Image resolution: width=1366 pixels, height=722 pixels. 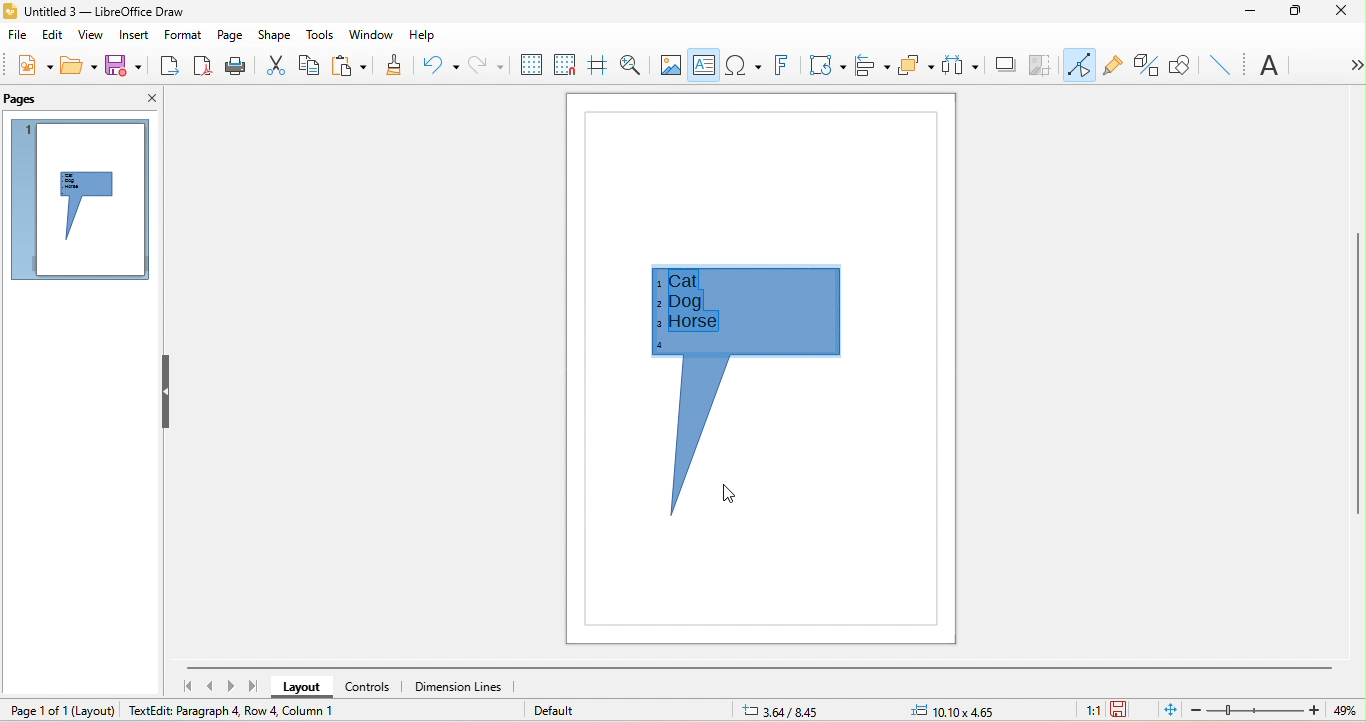 I want to click on new, so click(x=28, y=65).